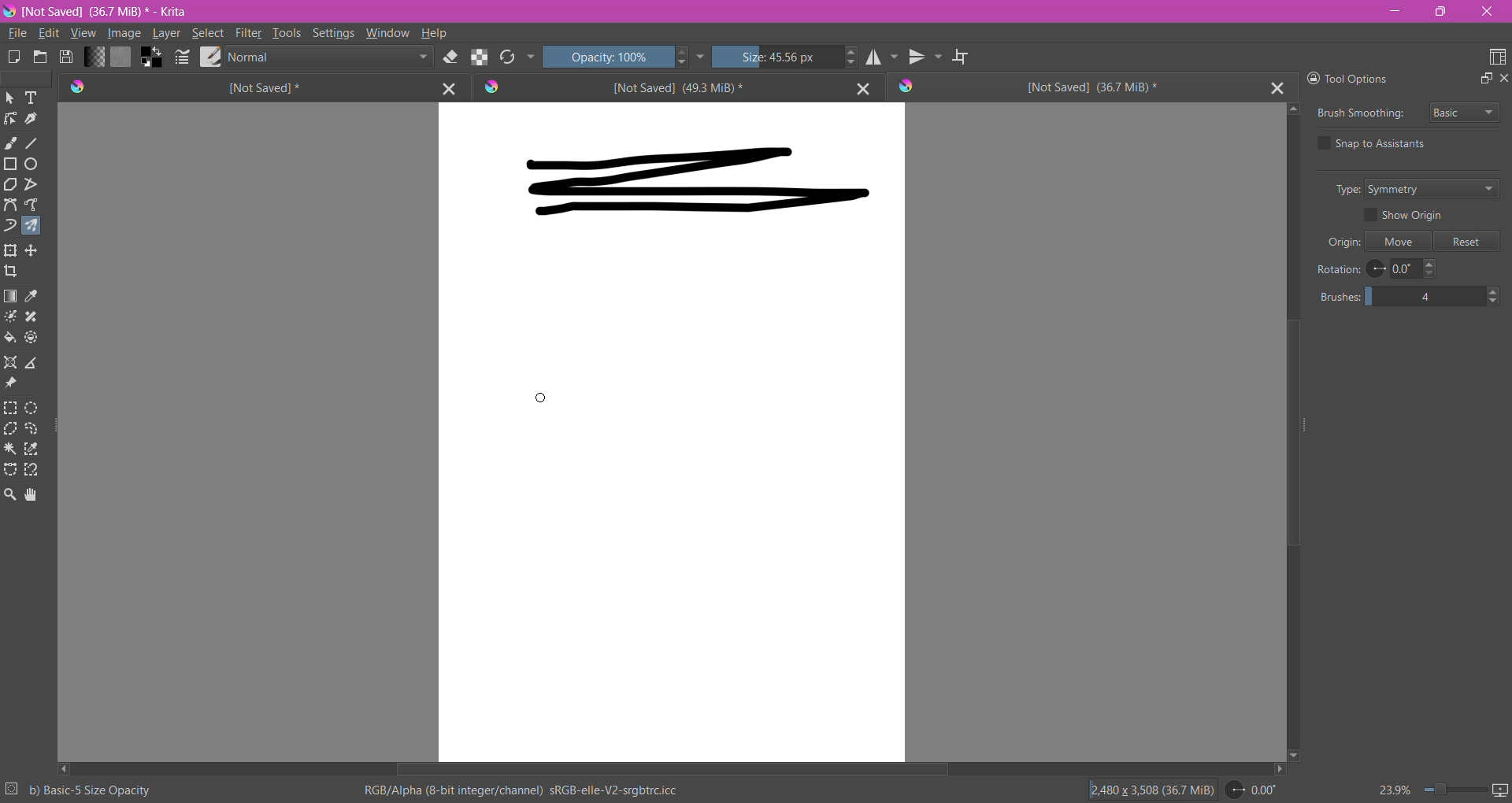 The image size is (1512, 803). What do you see at coordinates (94, 56) in the screenshot?
I see `Fill Gradient` at bounding box center [94, 56].